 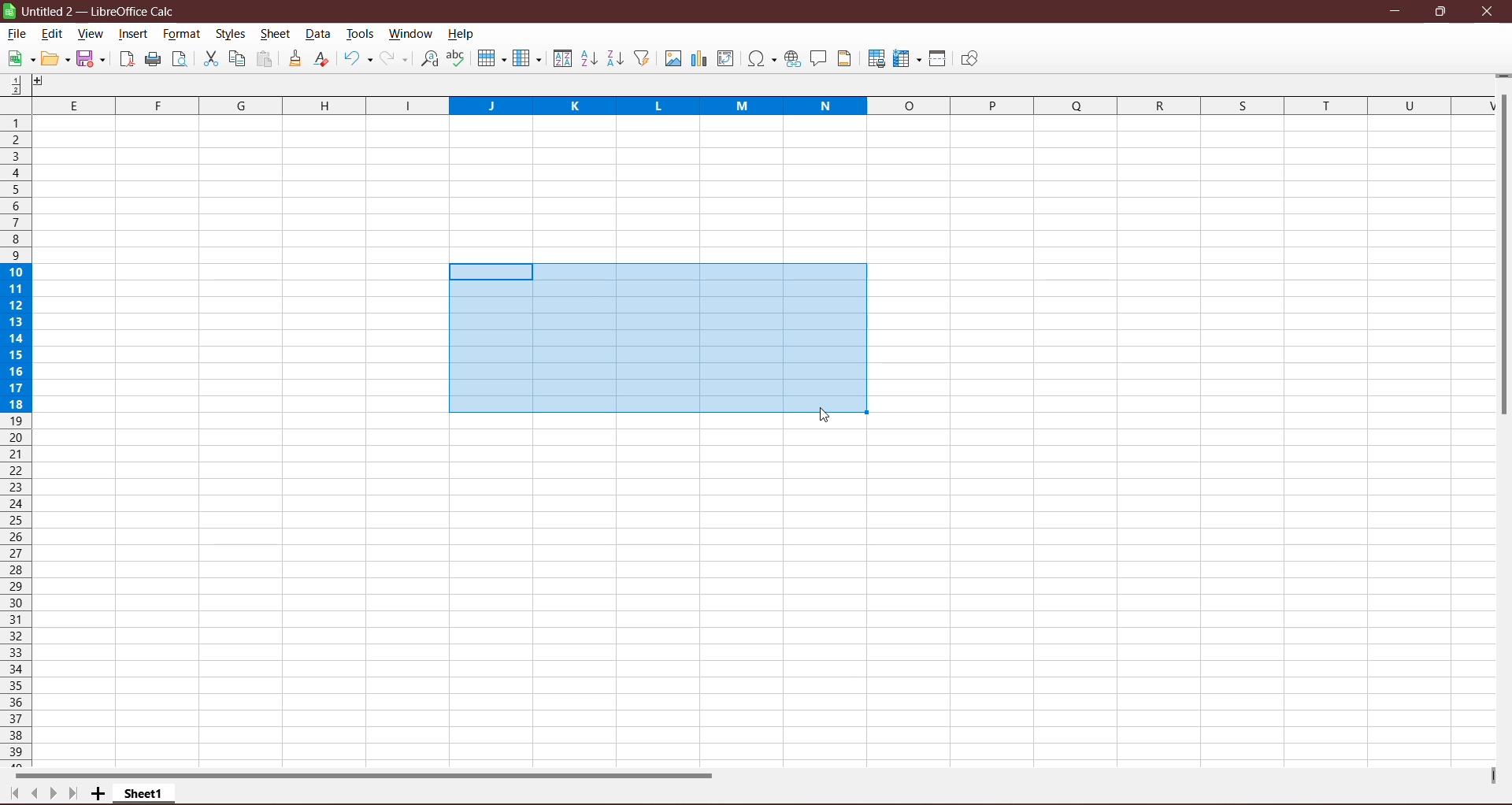 I want to click on Rows, so click(x=490, y=60).